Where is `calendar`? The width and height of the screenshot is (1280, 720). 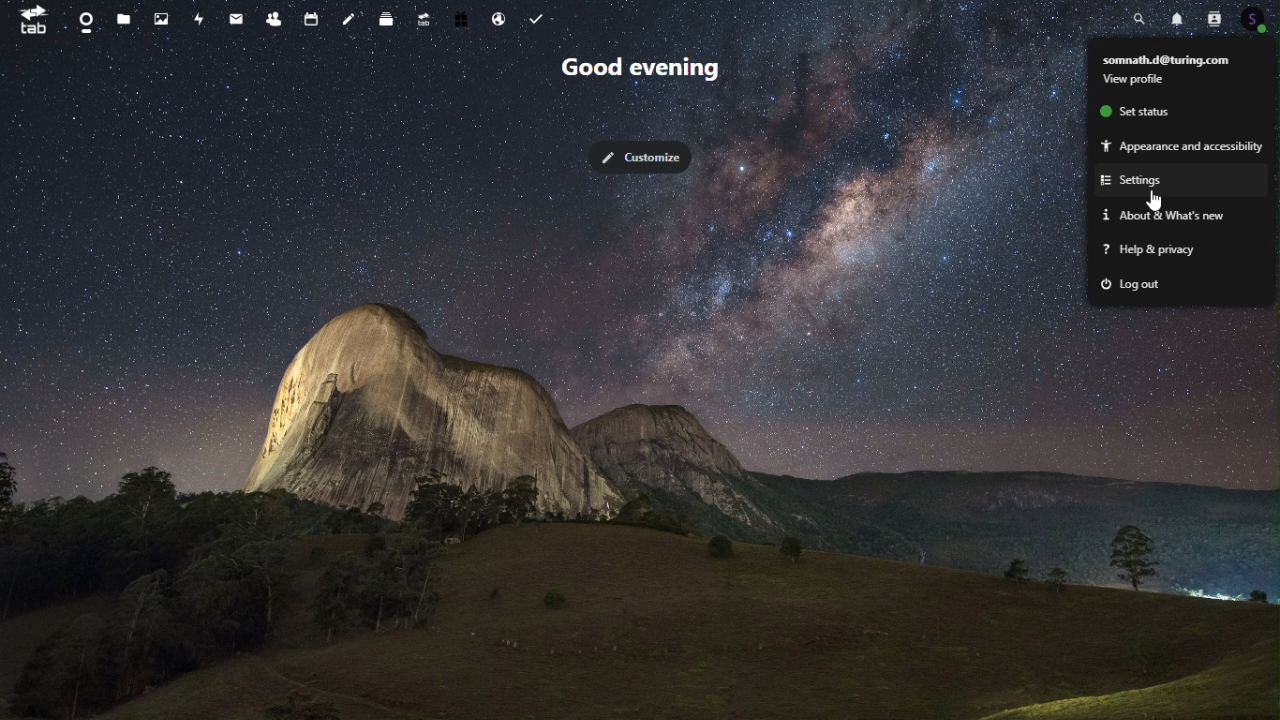
calendar is located at coordinates (314, 17).